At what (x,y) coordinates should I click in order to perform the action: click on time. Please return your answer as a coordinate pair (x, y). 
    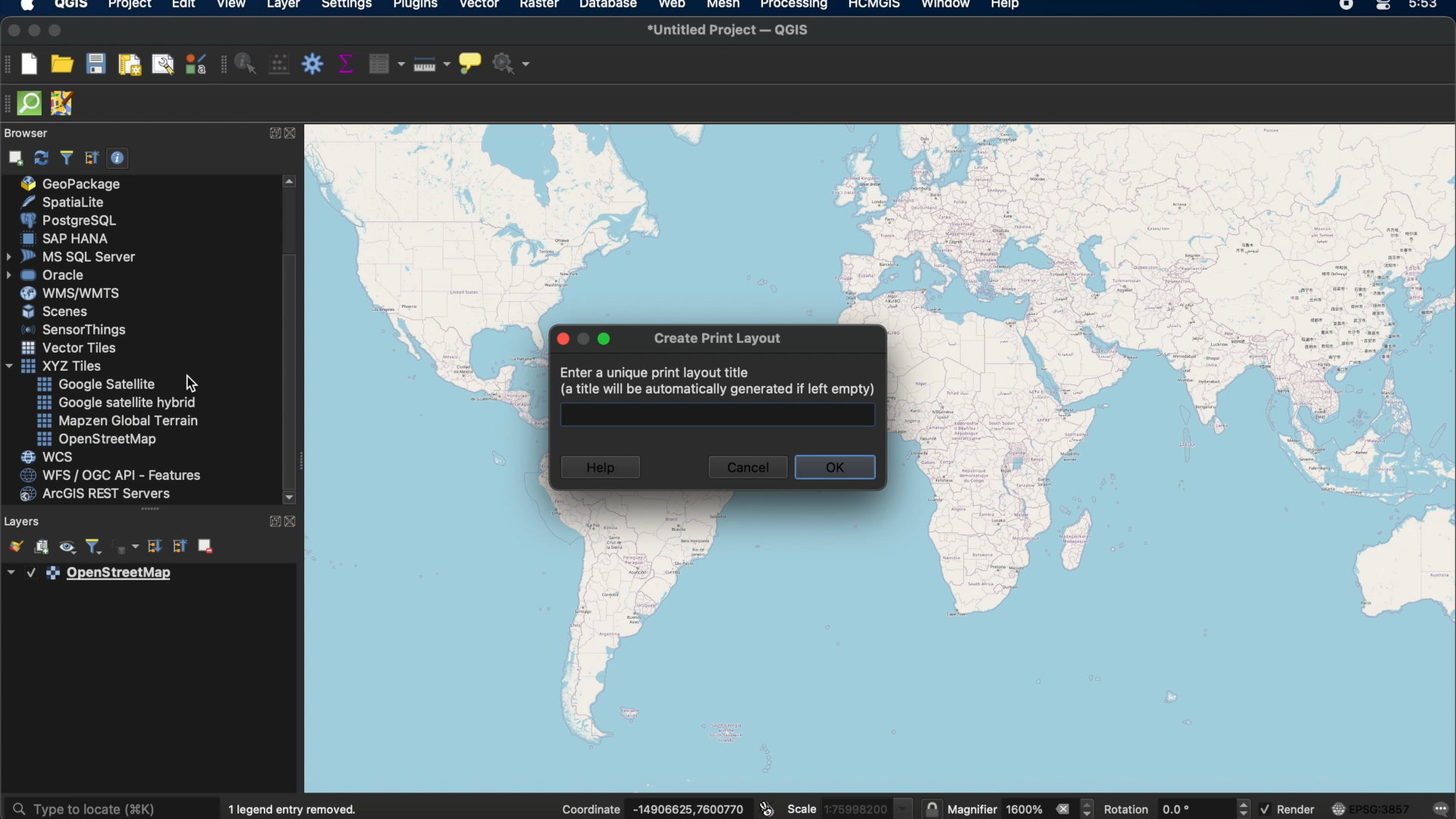
    Looking at the image, I should click on (1429, 7).